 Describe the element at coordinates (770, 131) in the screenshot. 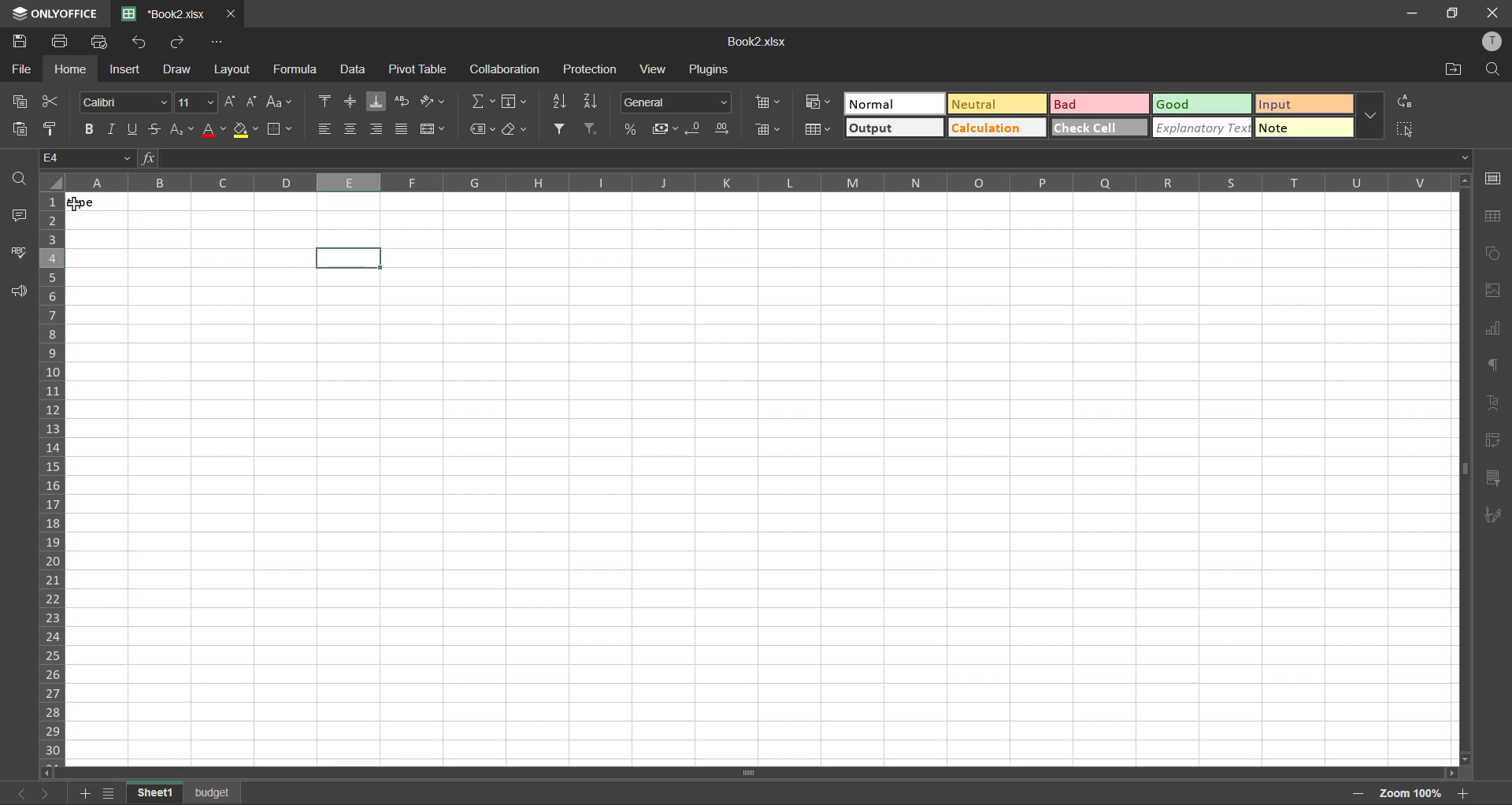

I see `delete cells` at that location.